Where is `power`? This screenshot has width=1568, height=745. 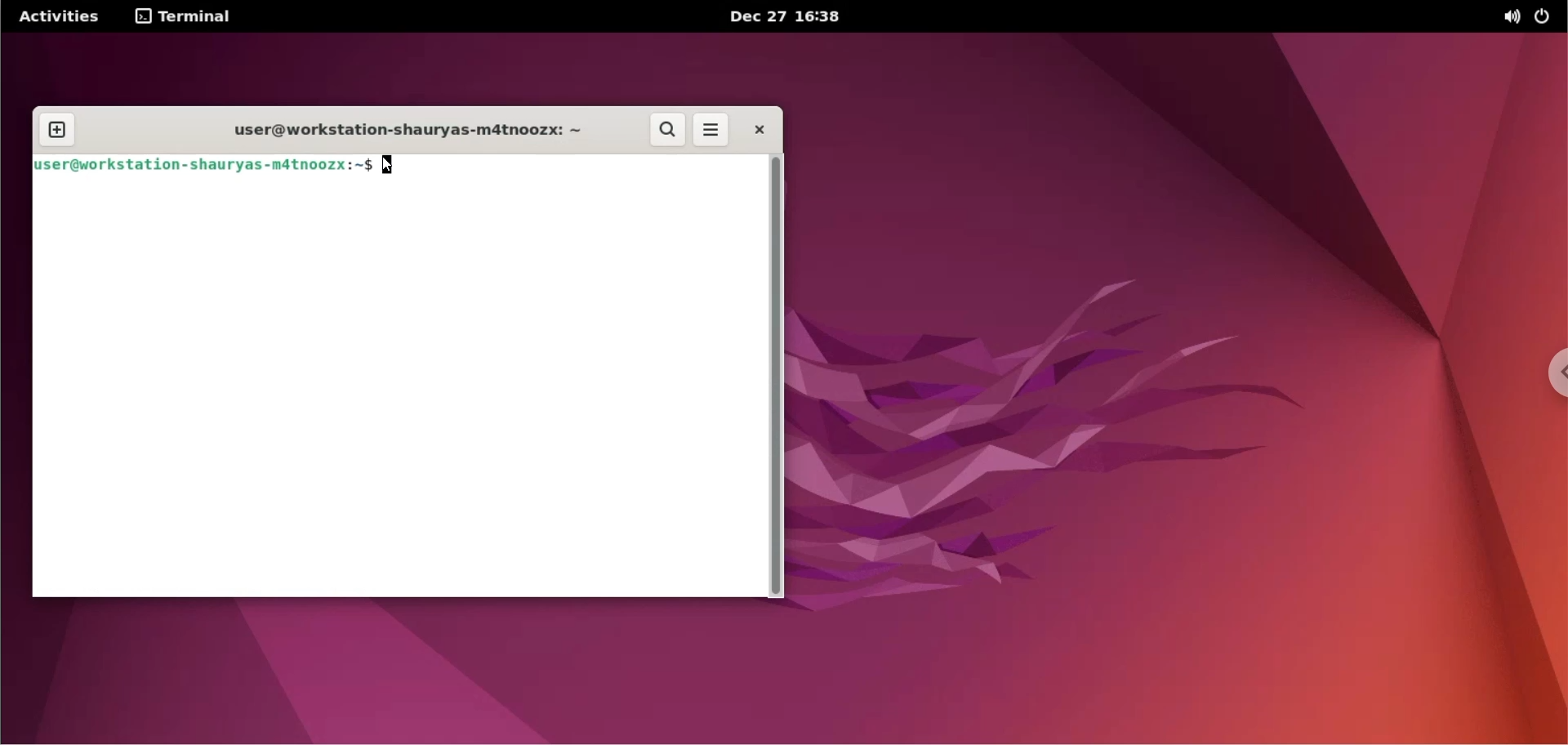
power is located at coordinates (1546, 16).